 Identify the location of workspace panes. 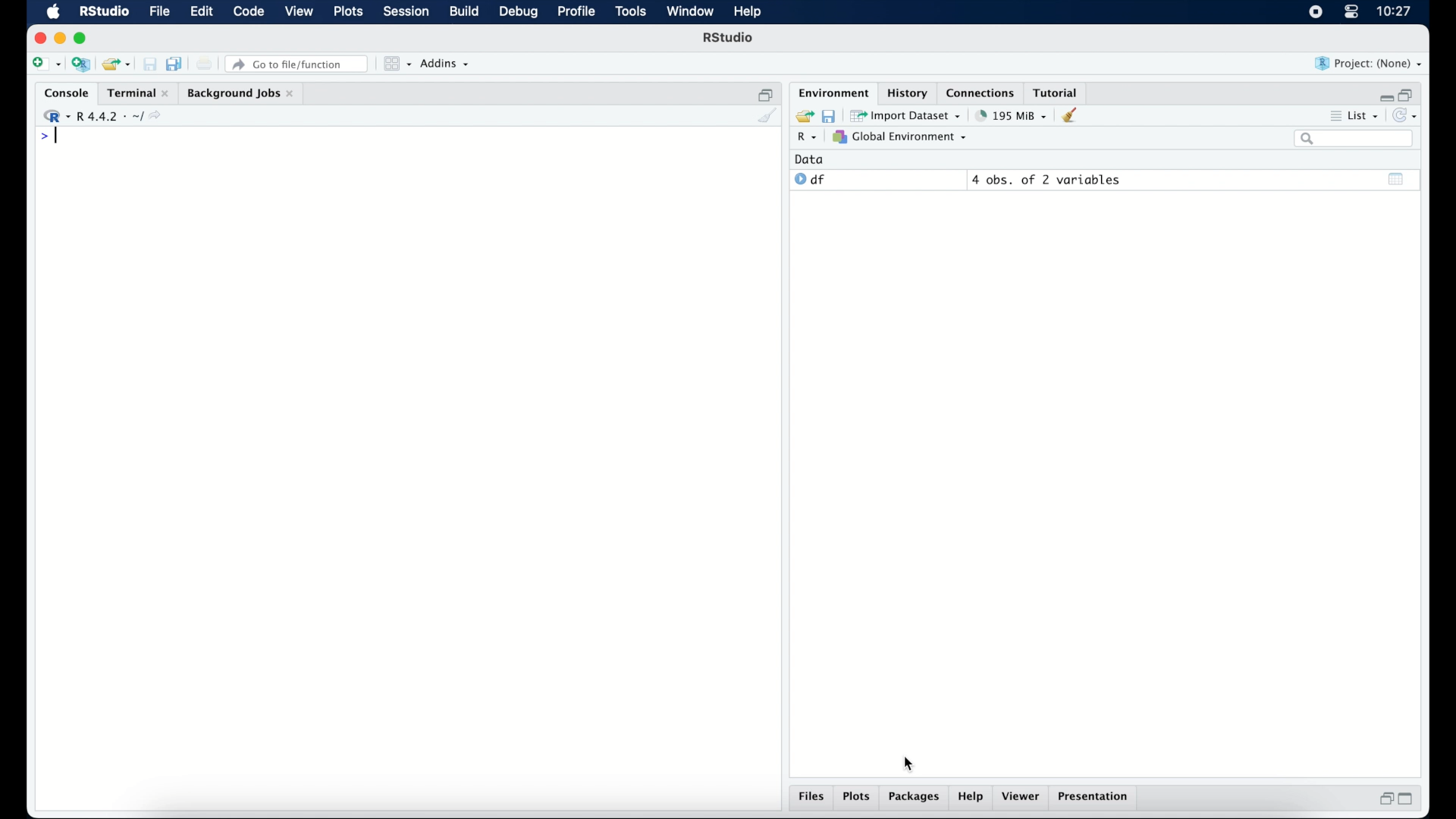
(396, 64).